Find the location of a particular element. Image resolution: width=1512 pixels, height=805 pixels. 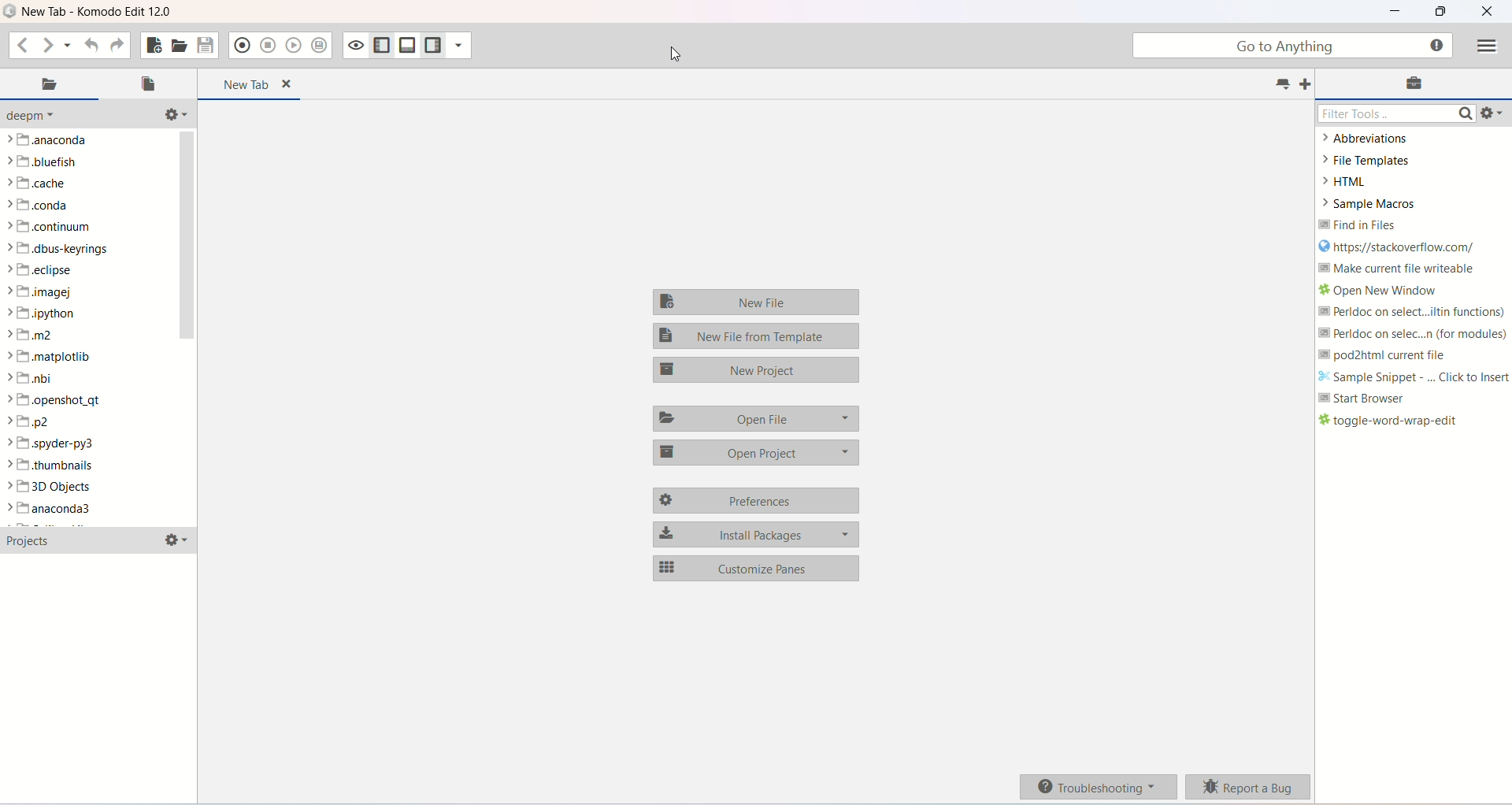

go forward one location is located at coordinates (46, 46).